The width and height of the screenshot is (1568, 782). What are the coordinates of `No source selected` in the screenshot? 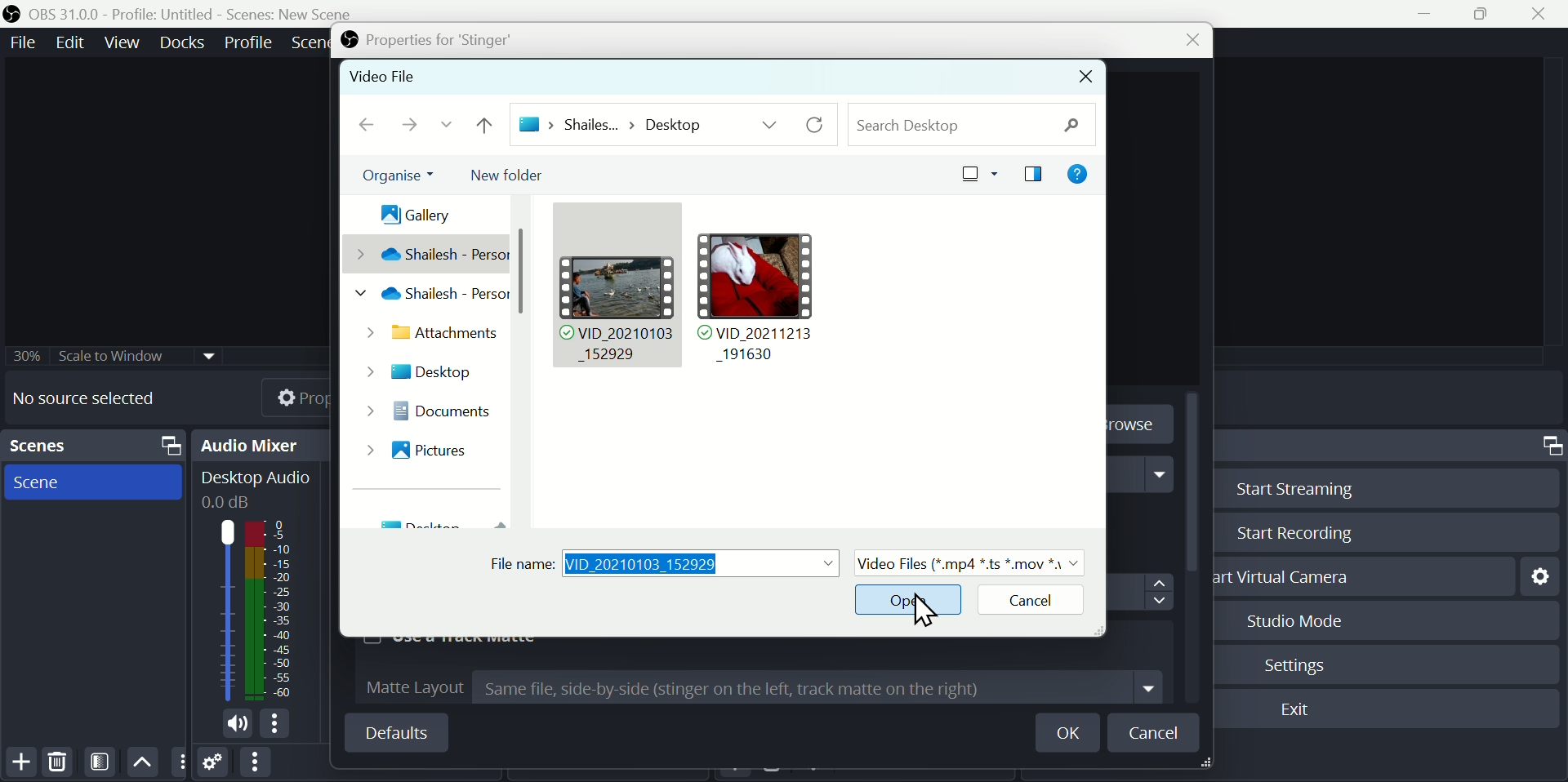 It's located at (96, 398).